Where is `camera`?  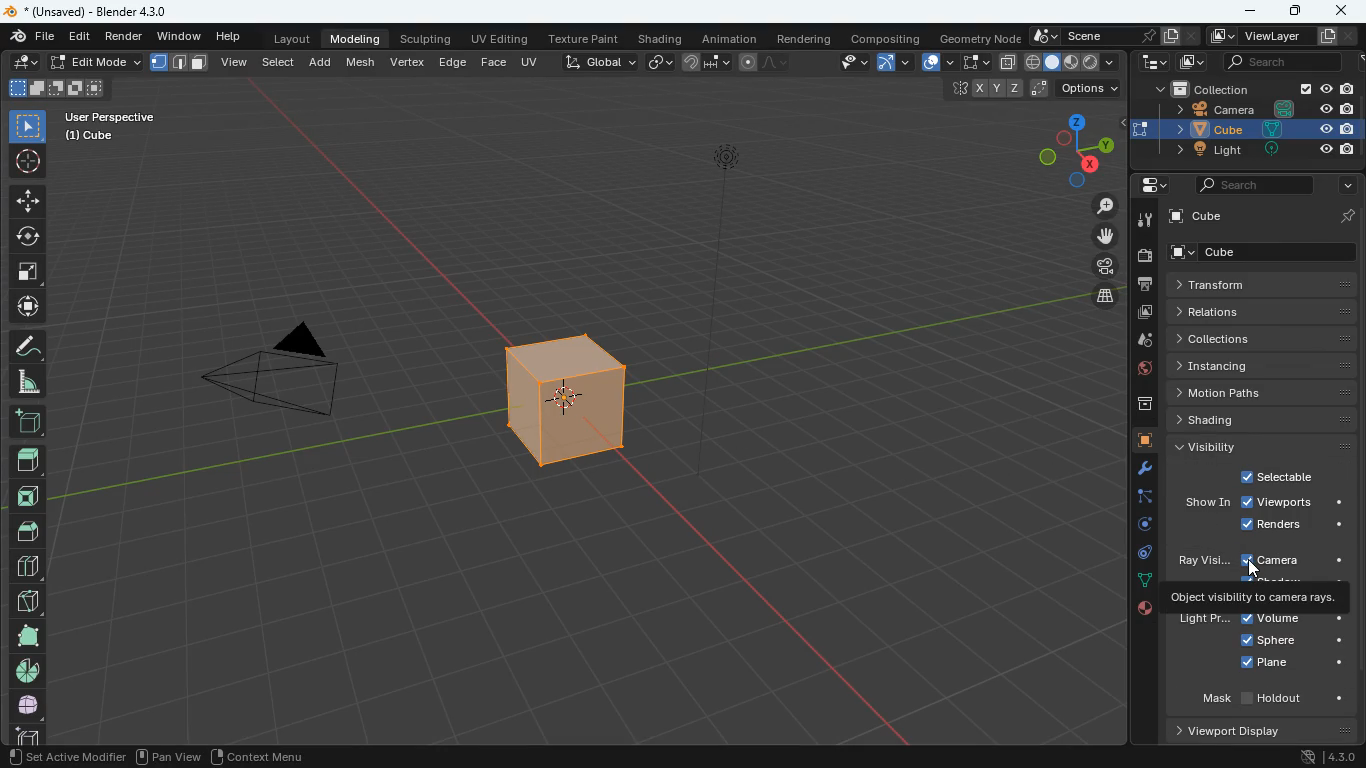
camera is located at coordinates (1262, 109).